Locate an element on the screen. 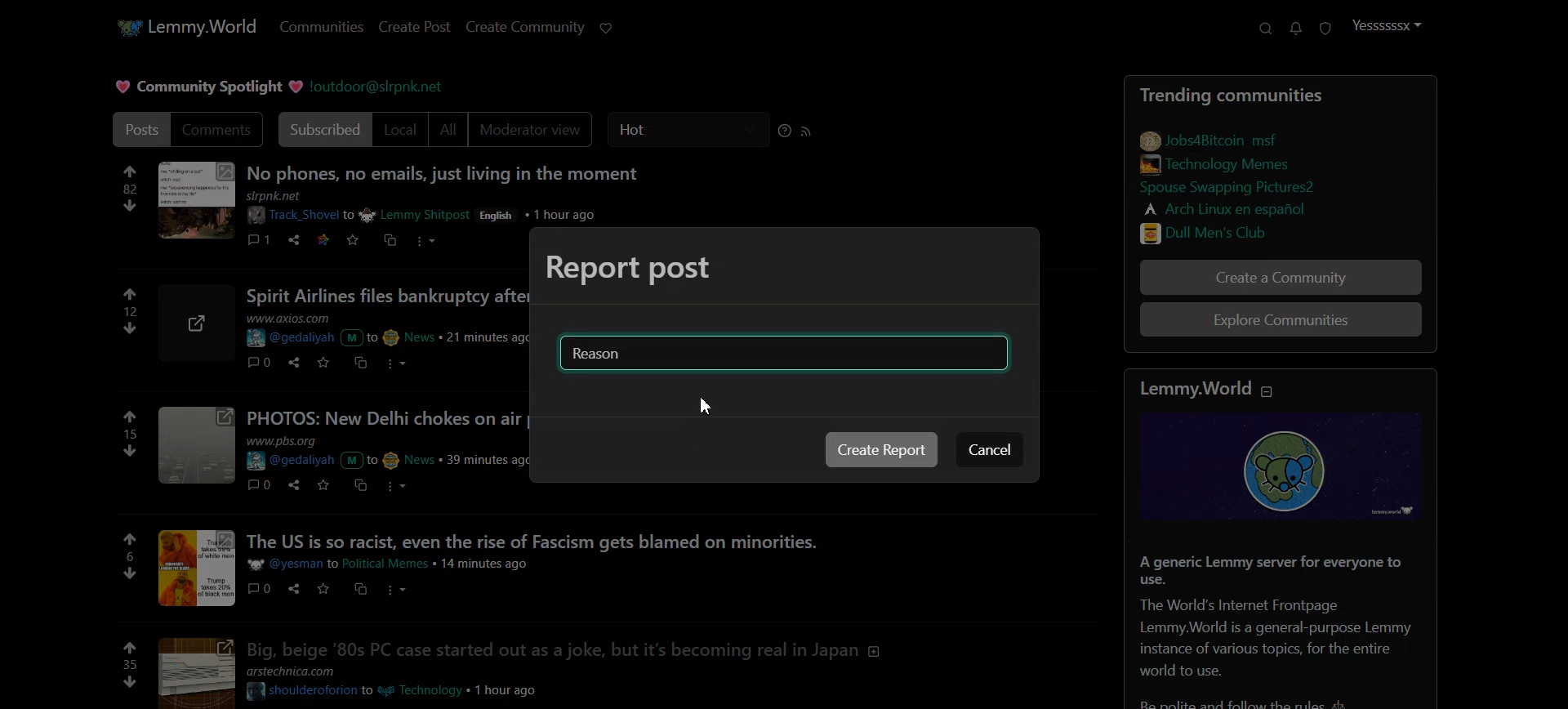  Unread Message is located at coordinates (1296, 29).